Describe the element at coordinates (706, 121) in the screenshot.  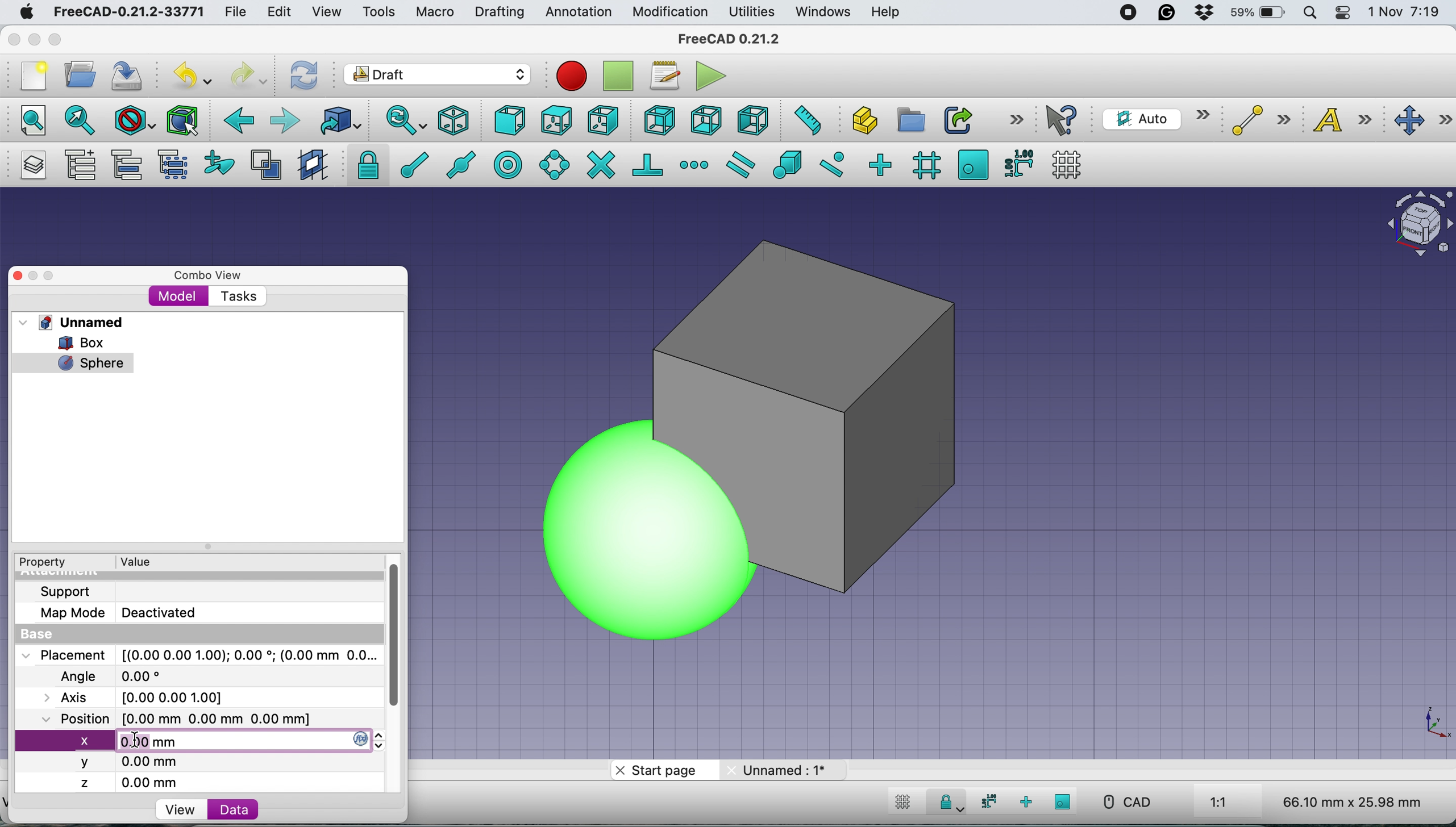
I see `bottom` at that location.